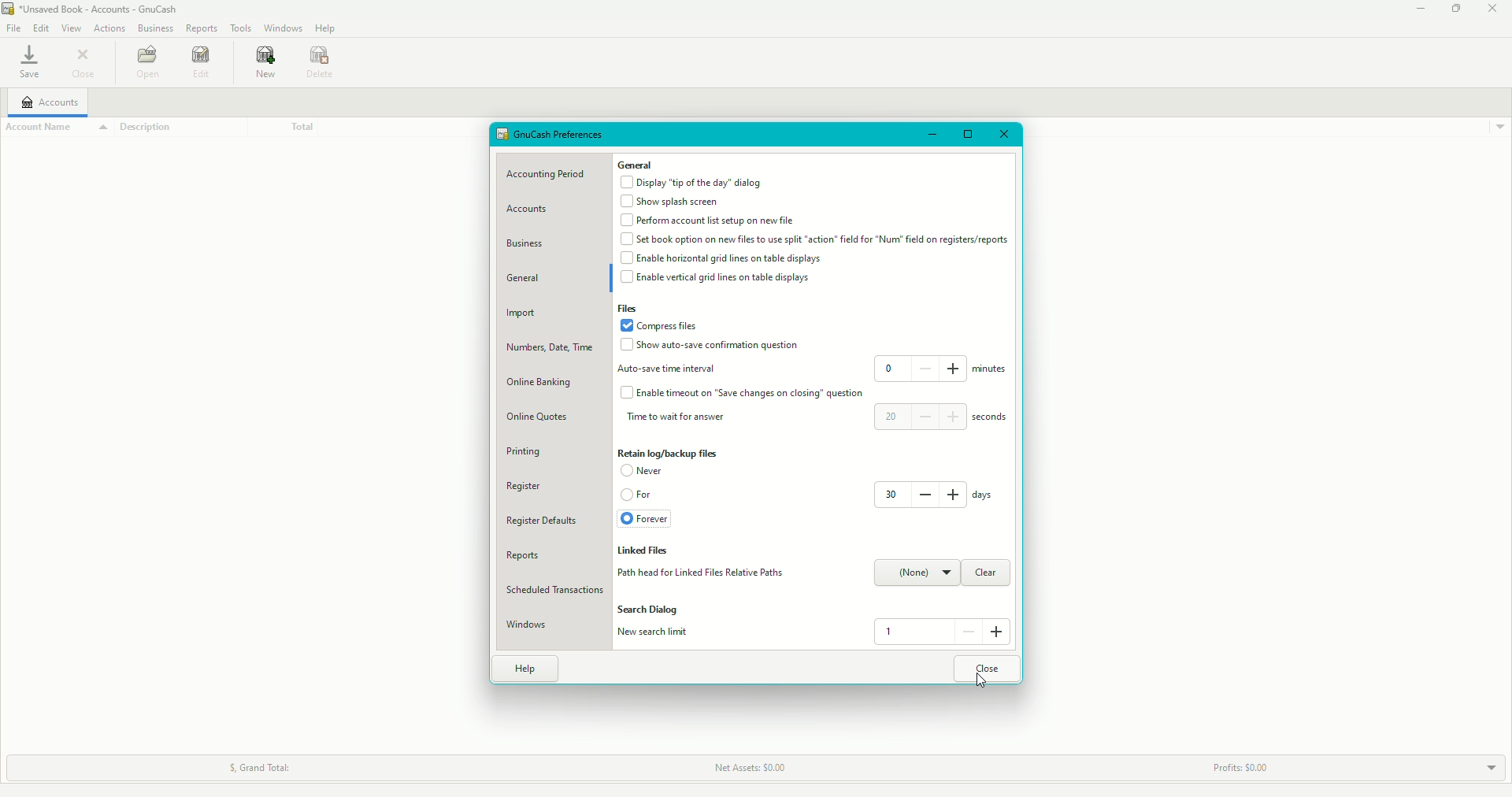 The height and width of the screenshot is (797, 1512). Describe the element at coordinates (202, 27) in the screenshot. I see `Reports` at that location.